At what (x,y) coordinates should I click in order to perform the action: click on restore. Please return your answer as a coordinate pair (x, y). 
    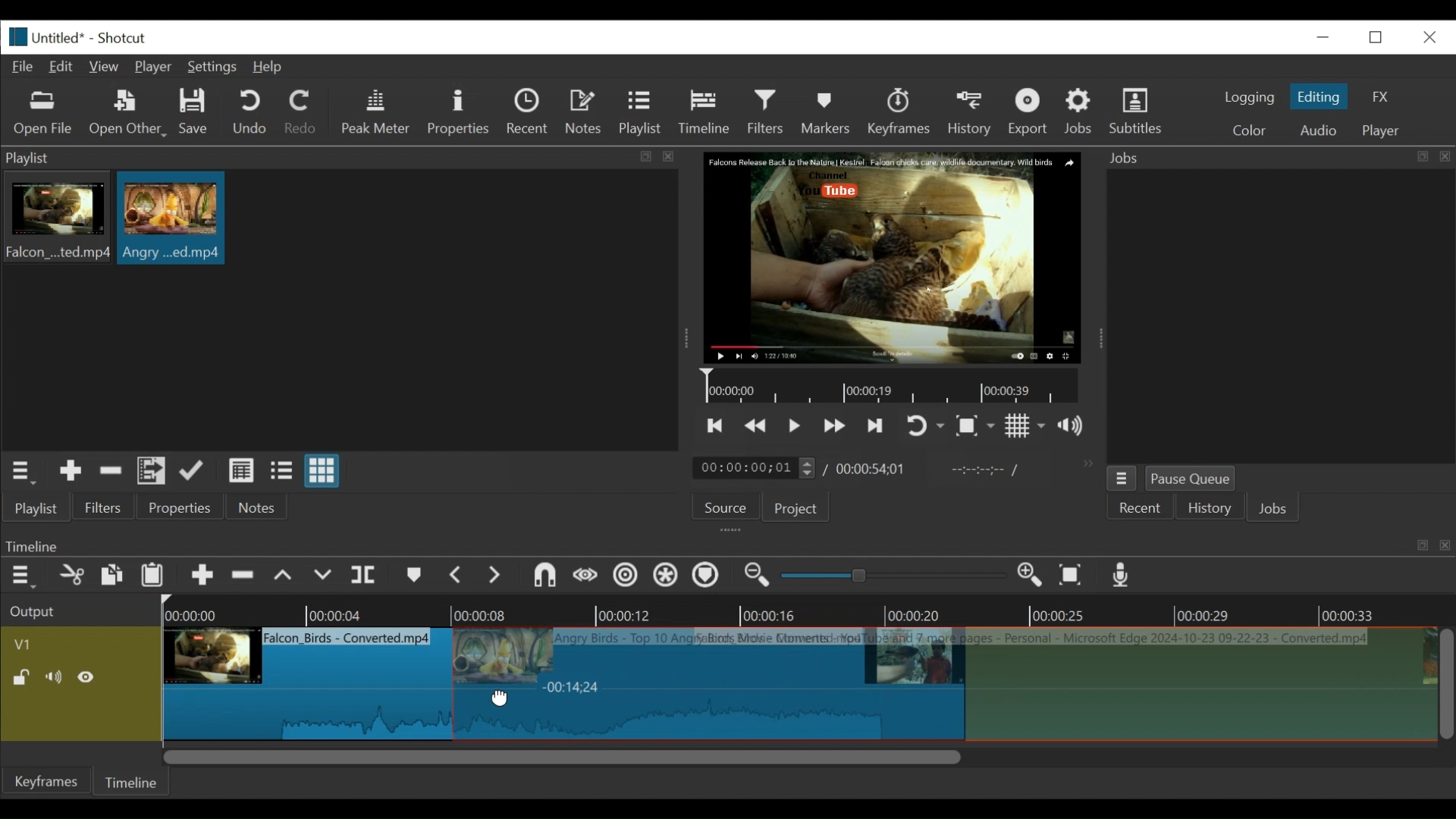
    Looking at the image, I should click on (1380, 36).